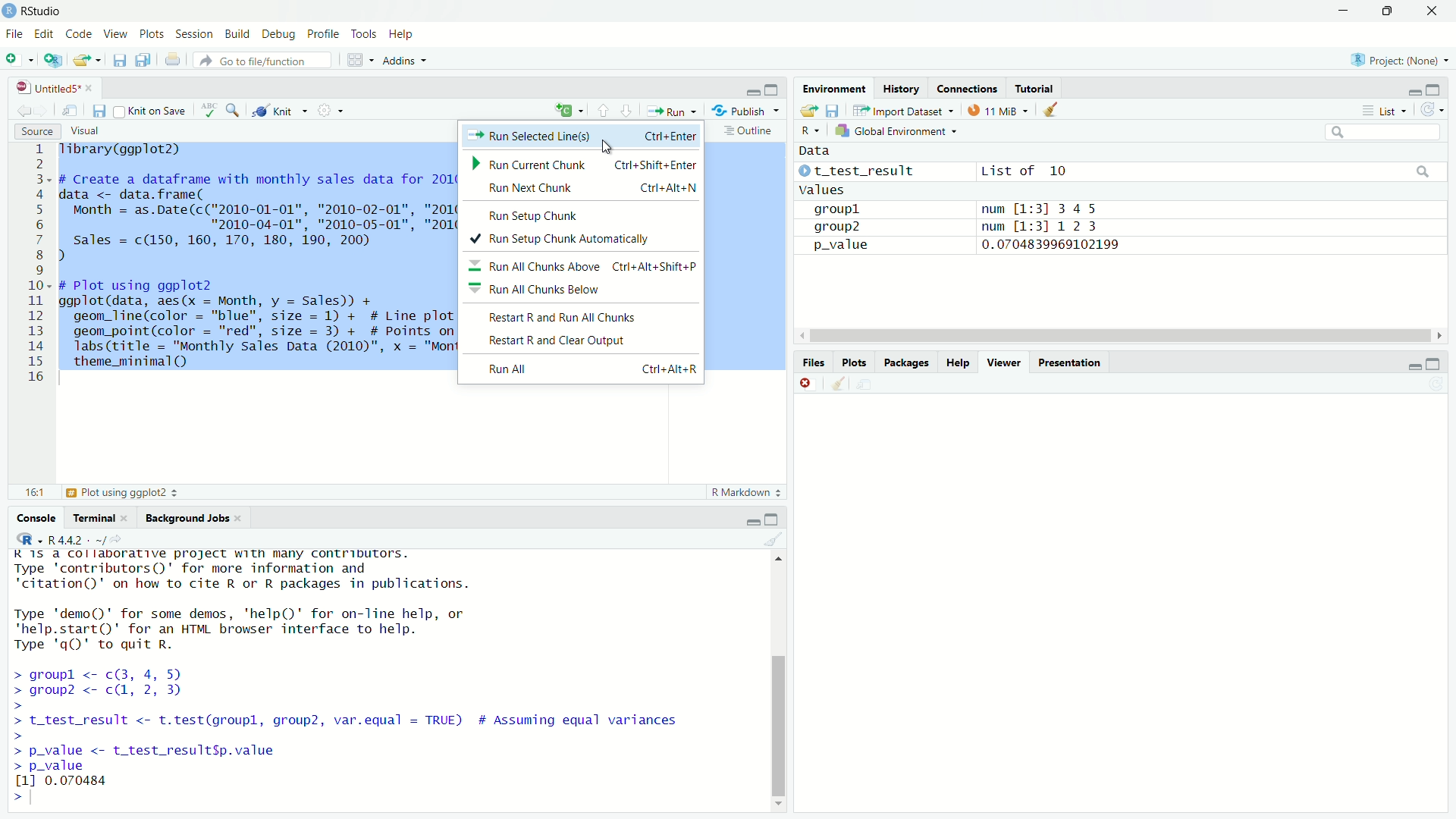 The image size is (1456, 819). What do you see at coordinates (98, 516) in the screenshot?
I see `Terminal` at bounding box center [98, 516].